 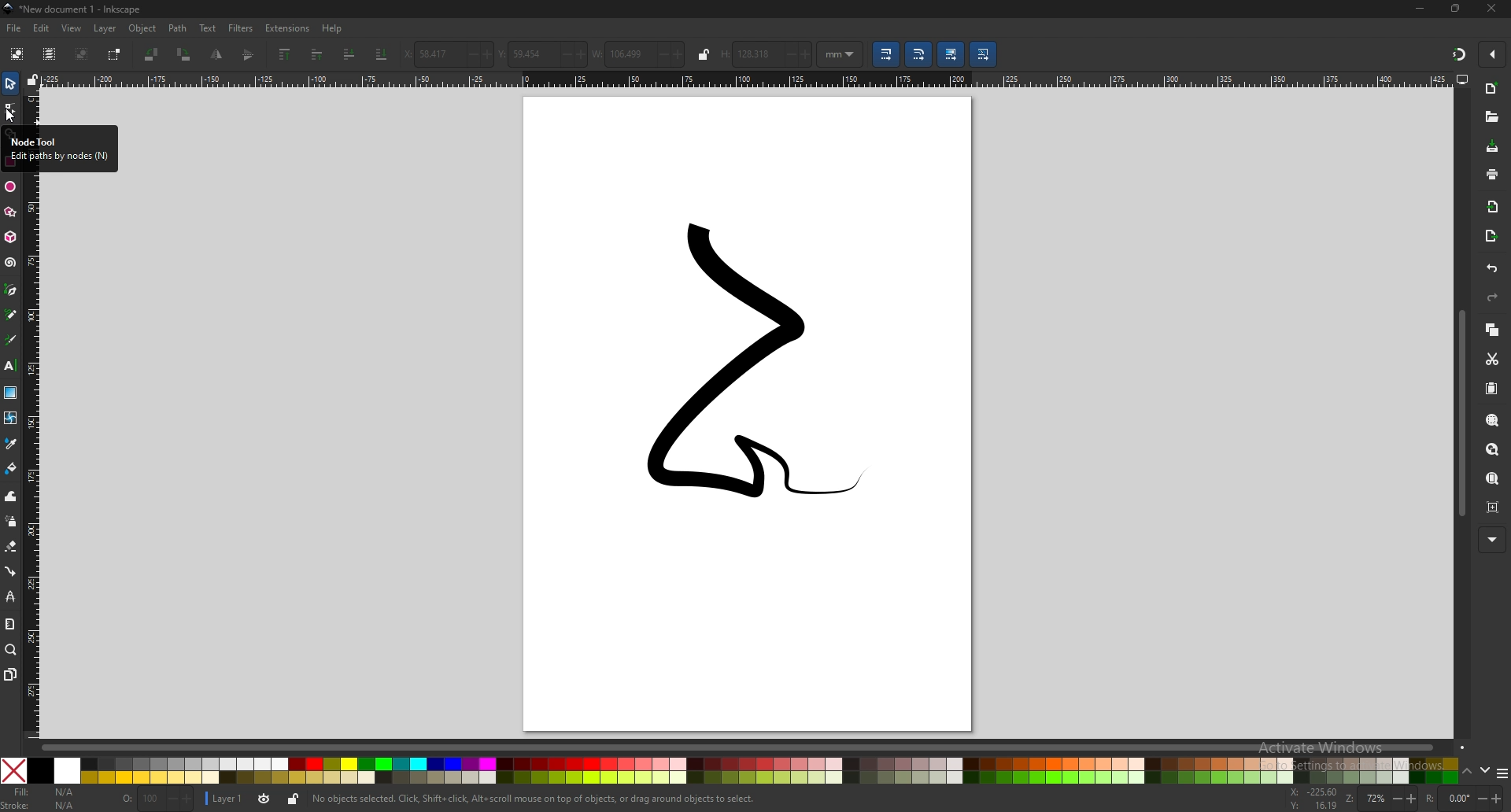 I want to click on up, so click(x=1467, y=772).